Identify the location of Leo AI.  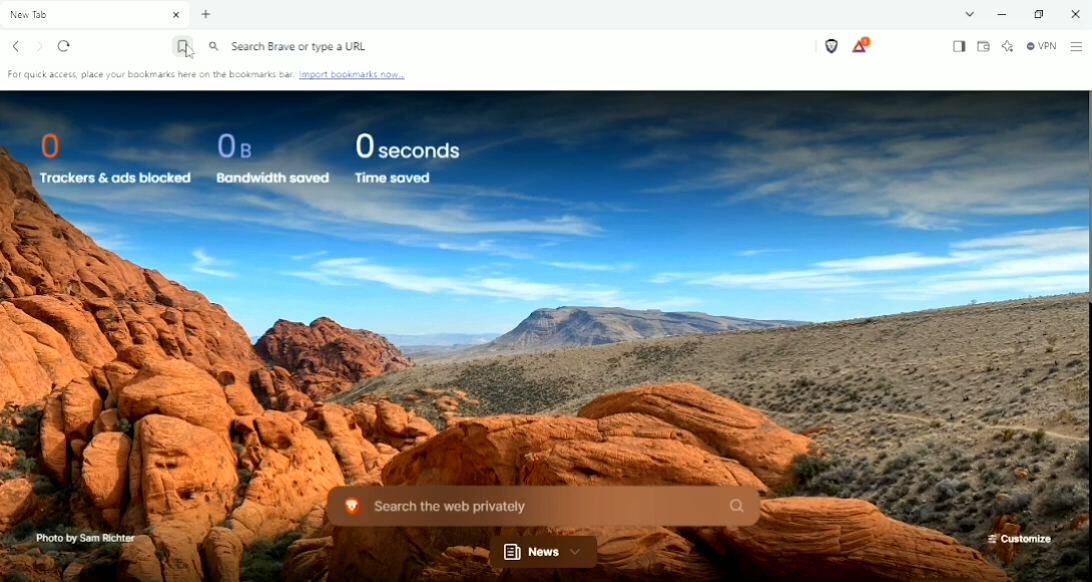
(1008, 45).